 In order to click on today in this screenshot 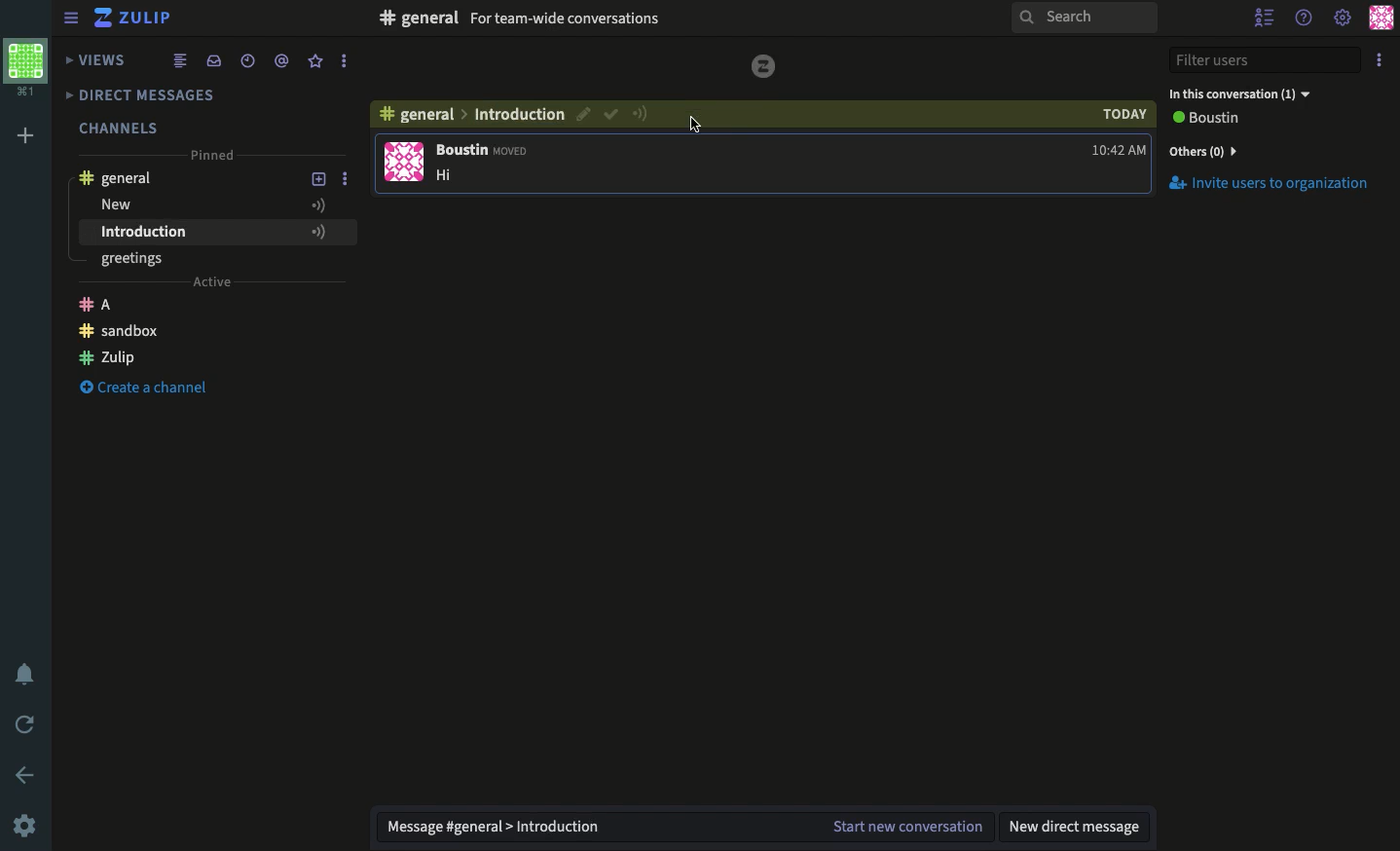, I will do `click(1124, 115)`.